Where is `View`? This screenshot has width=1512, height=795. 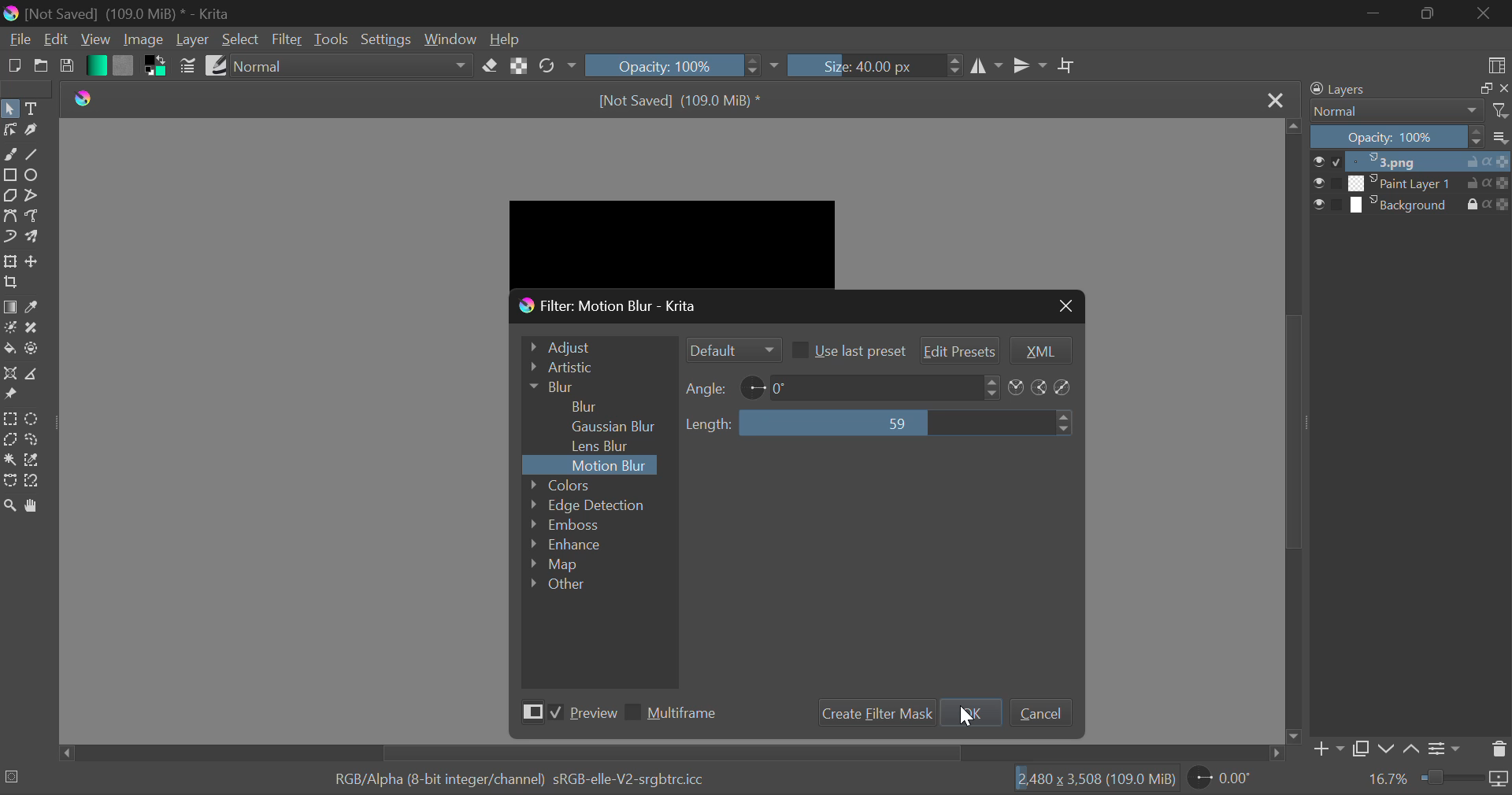
View is located at coordinates (94, 39).